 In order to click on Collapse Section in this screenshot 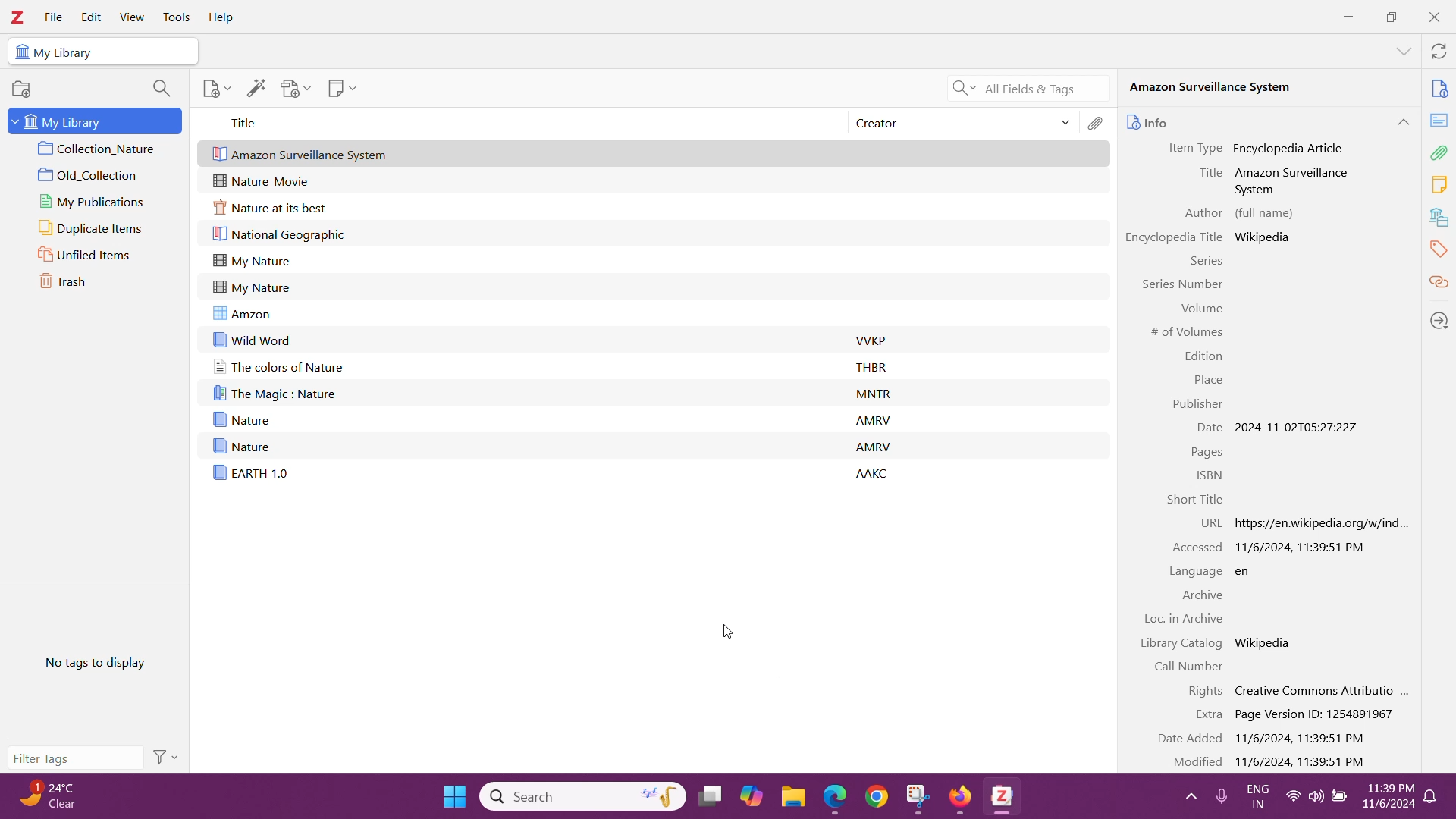, I will do `click(1401, 121)`.